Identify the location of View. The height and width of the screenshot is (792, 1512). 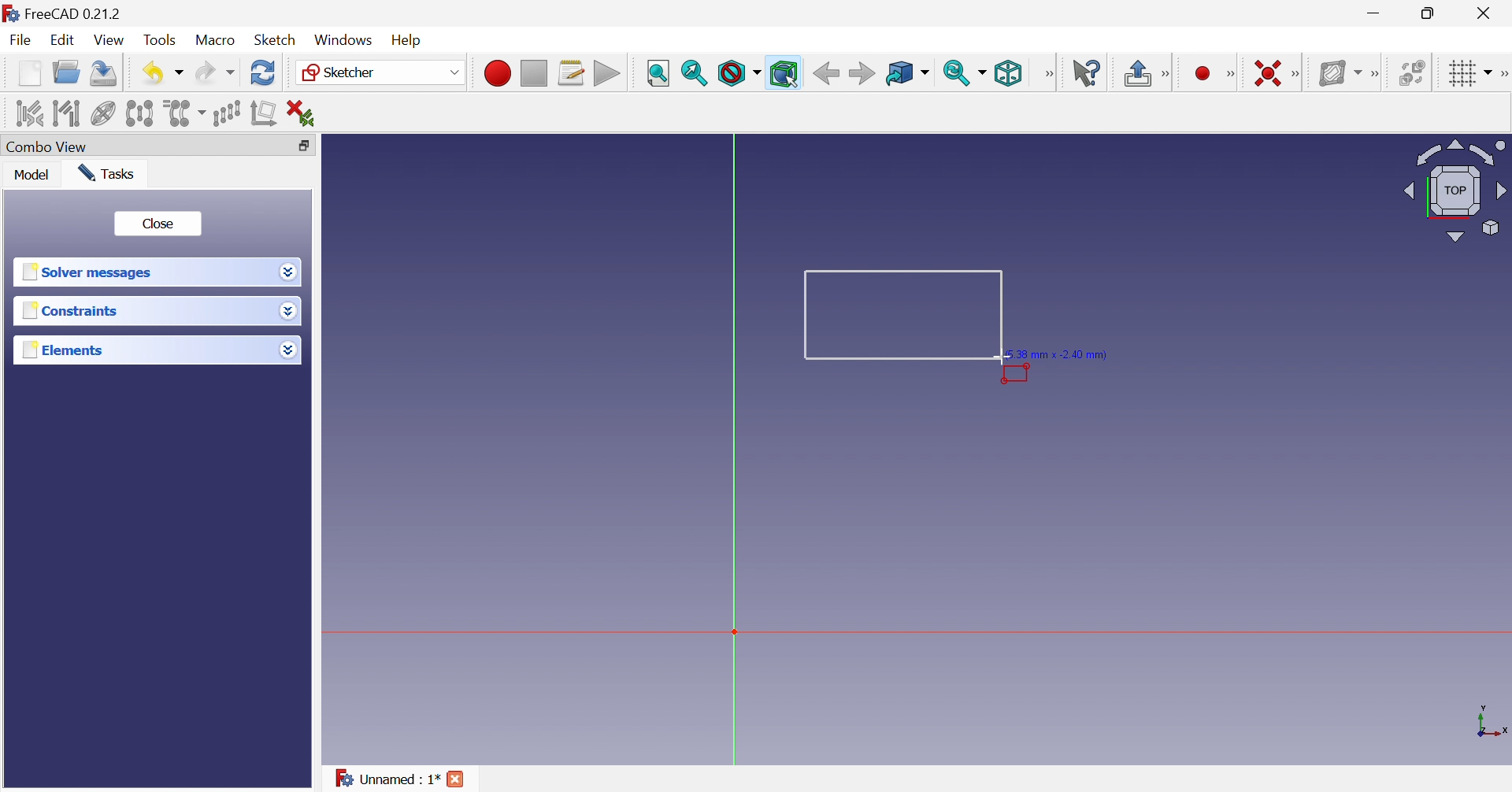
(108, 41).